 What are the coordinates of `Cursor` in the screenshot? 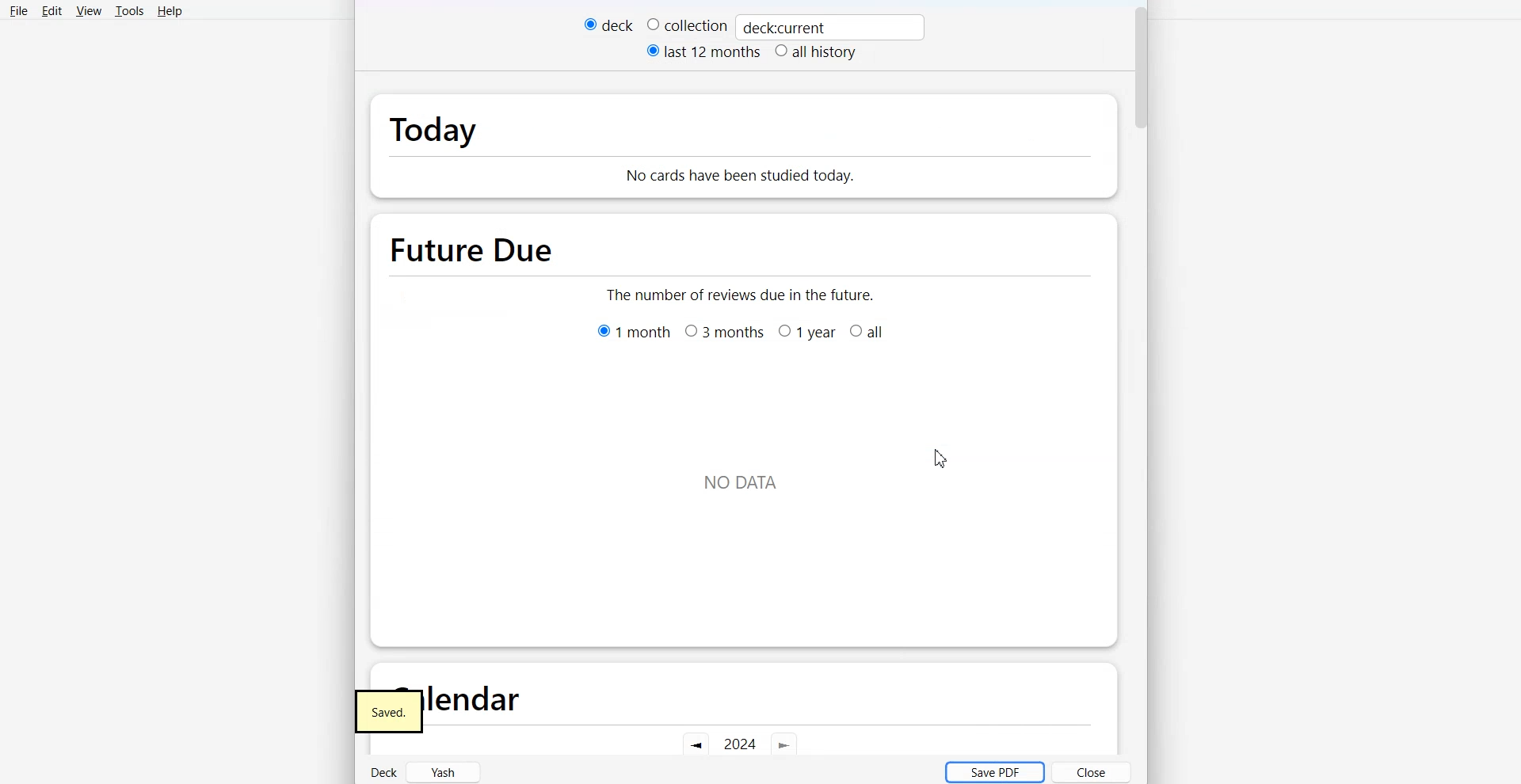 It's located at (941, 458).